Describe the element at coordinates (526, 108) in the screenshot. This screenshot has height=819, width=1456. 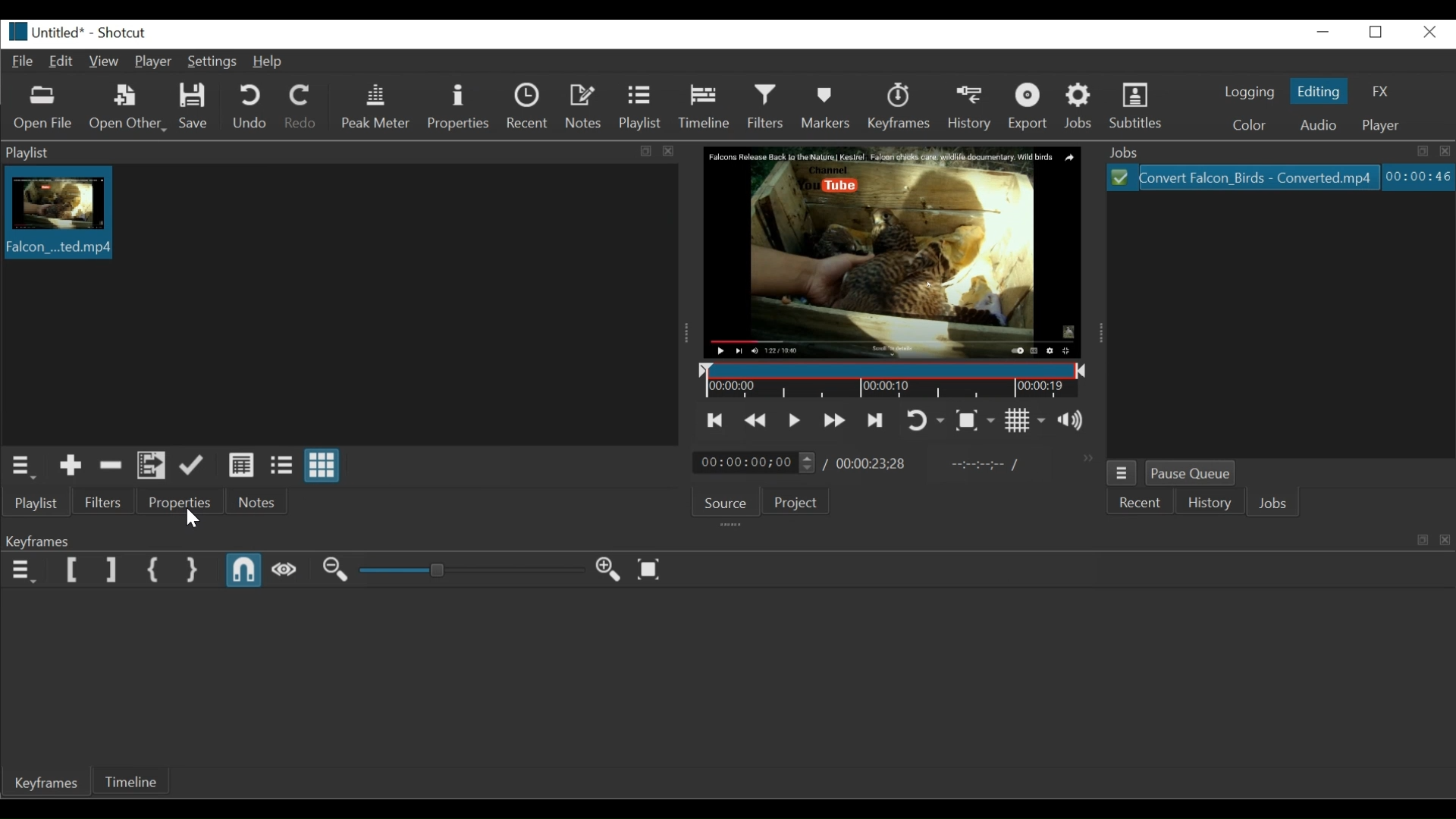
I see `Recent` at that location.